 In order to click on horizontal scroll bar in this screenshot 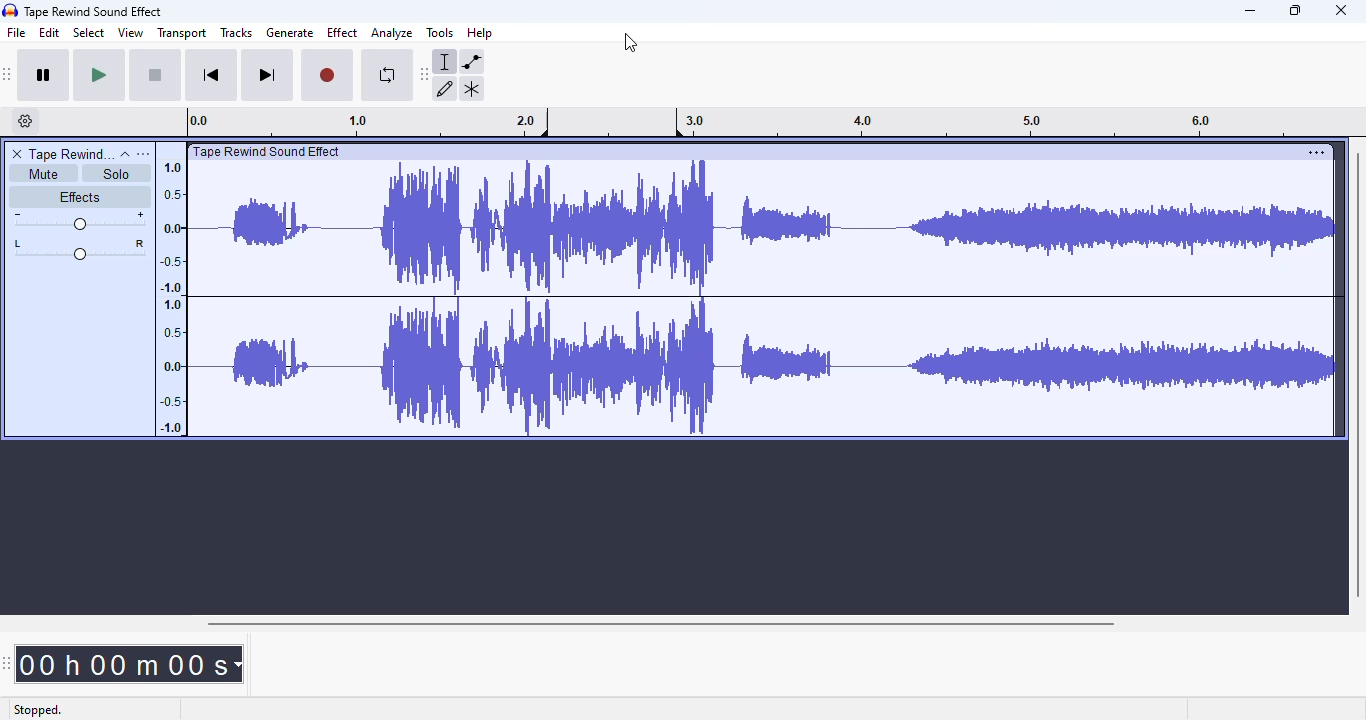, I will do `click(657, 623)`.